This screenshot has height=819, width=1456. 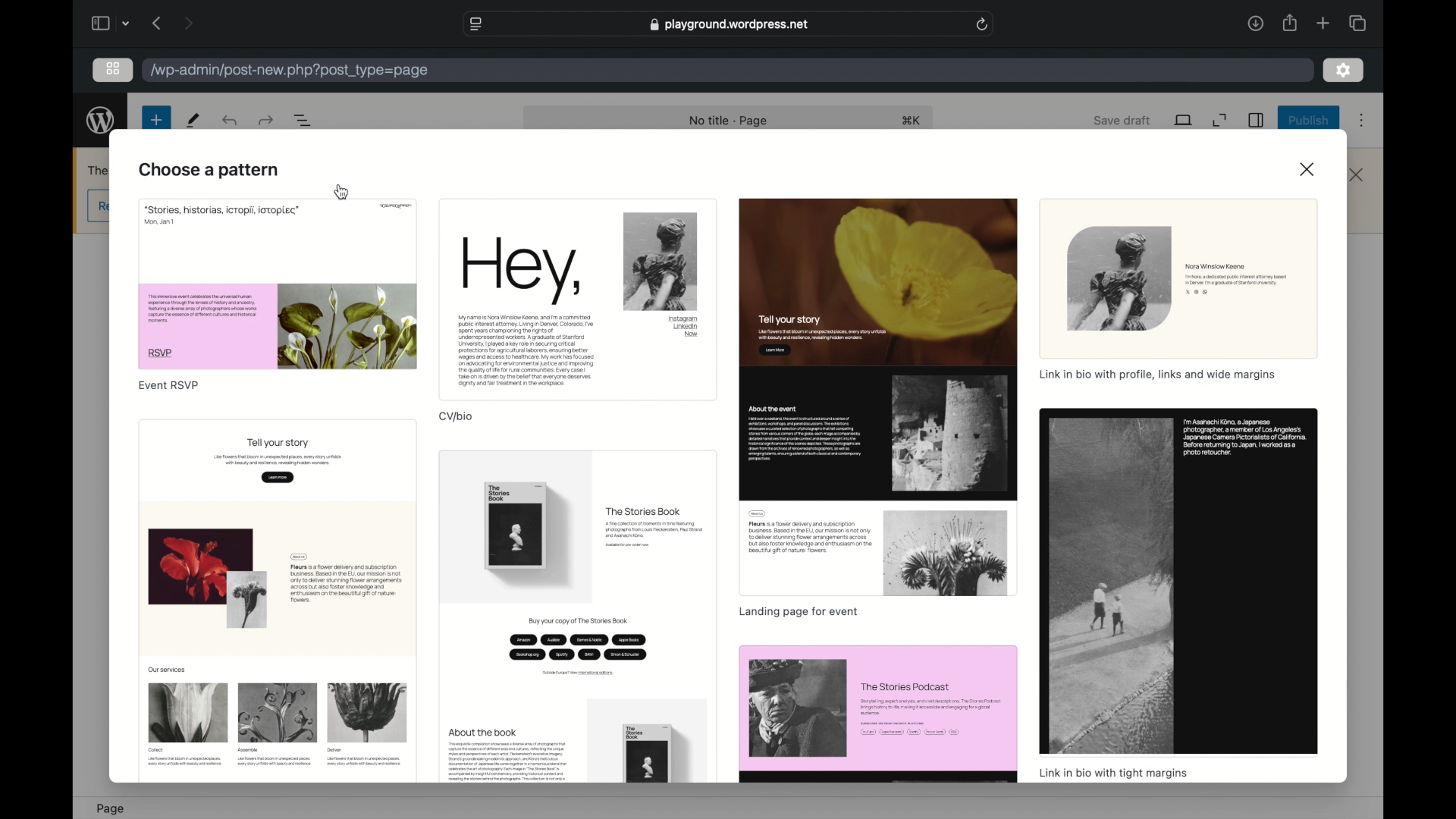 What do you see at coordinates (278, 284) in the screenshot?
I see `preview` at bounding box center [278, 284].